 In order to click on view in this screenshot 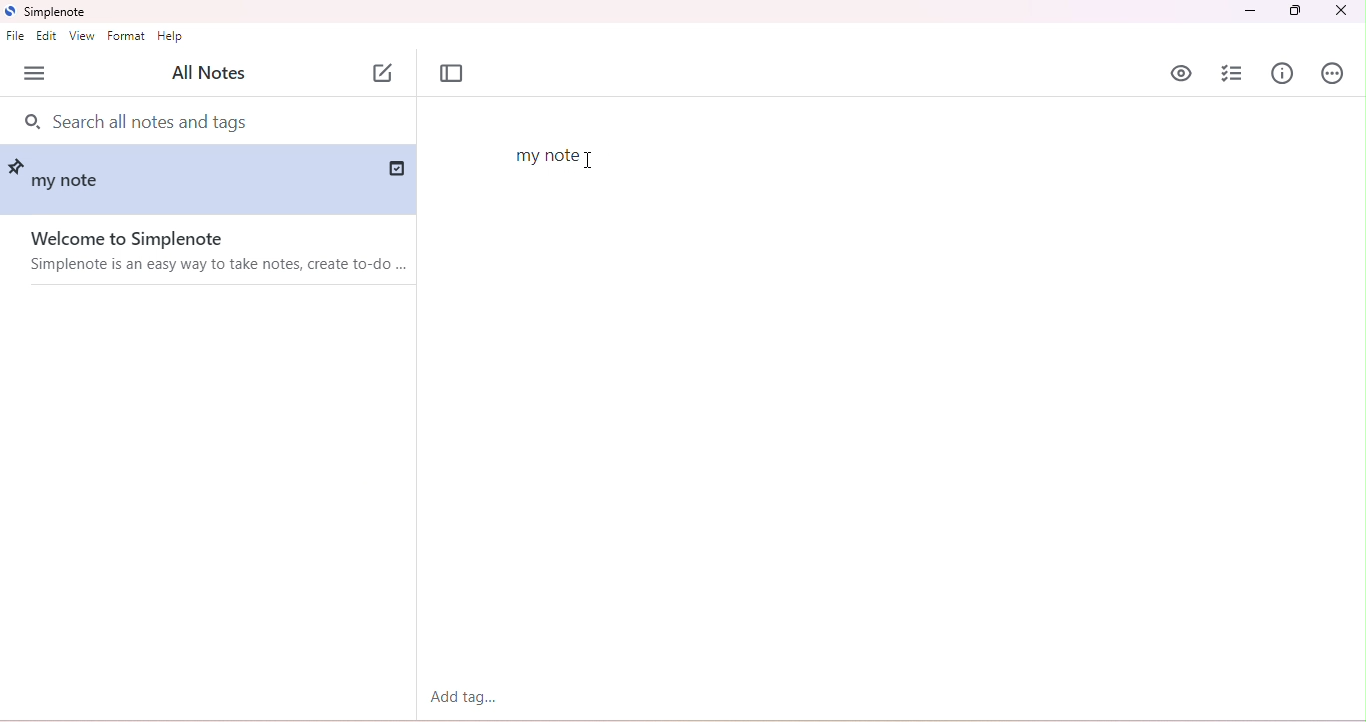, I will do `click(82, 36)`.